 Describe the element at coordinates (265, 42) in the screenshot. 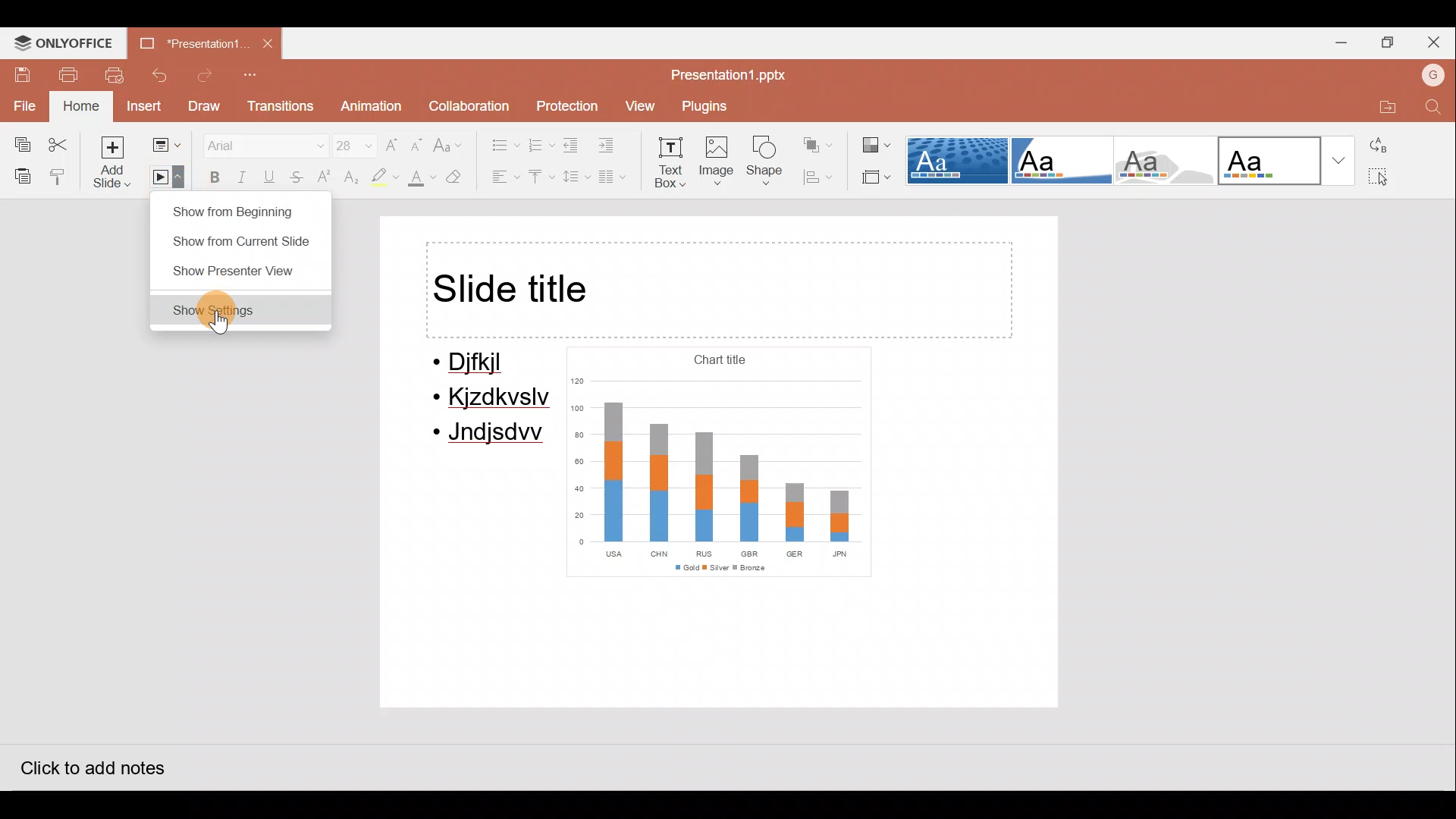

I see `Close document` at that location.